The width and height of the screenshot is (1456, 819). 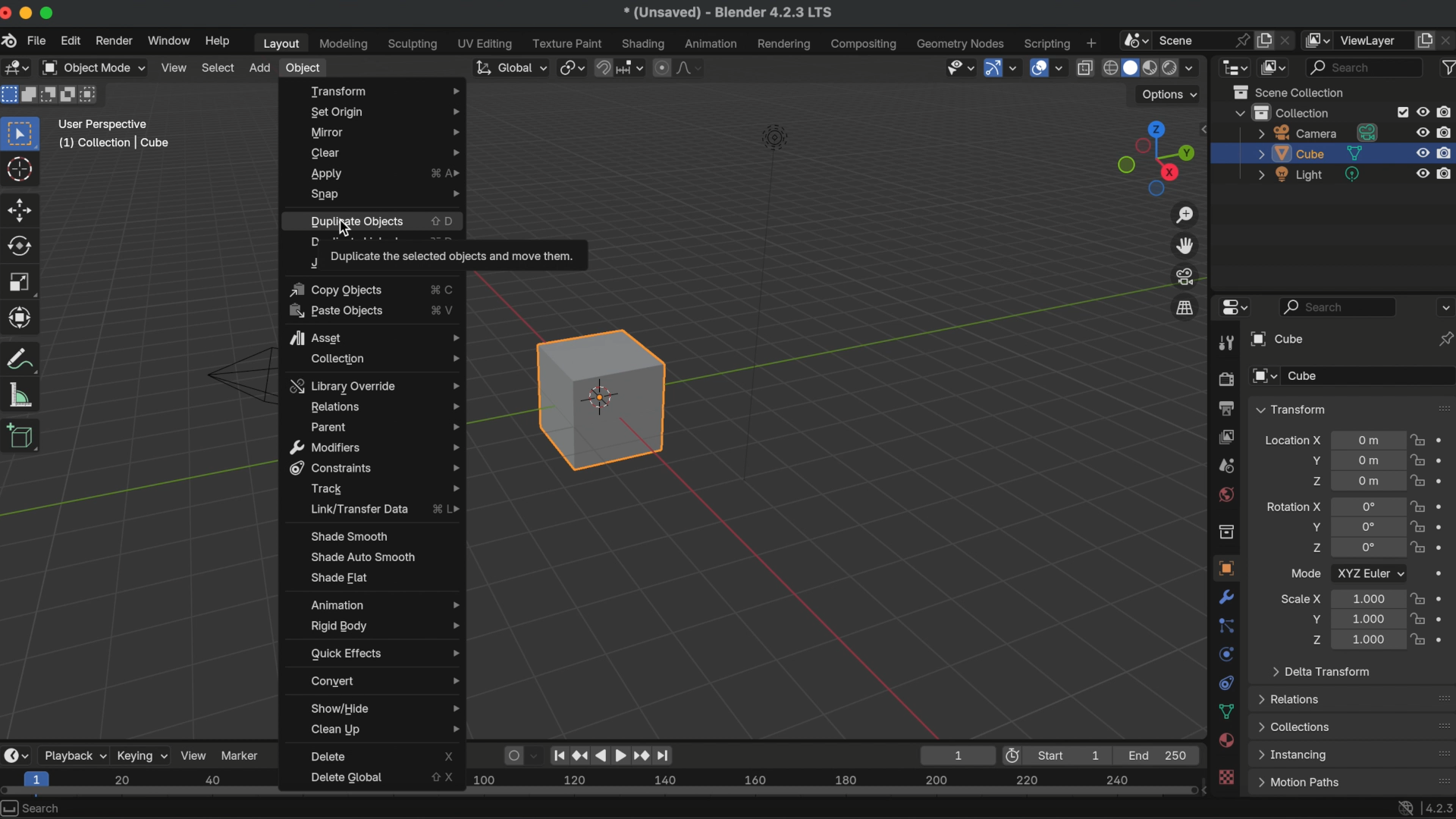 What do you see at coordinates (194, 755) in the screenshot?
I see `view` at bounding box center [194, 755].